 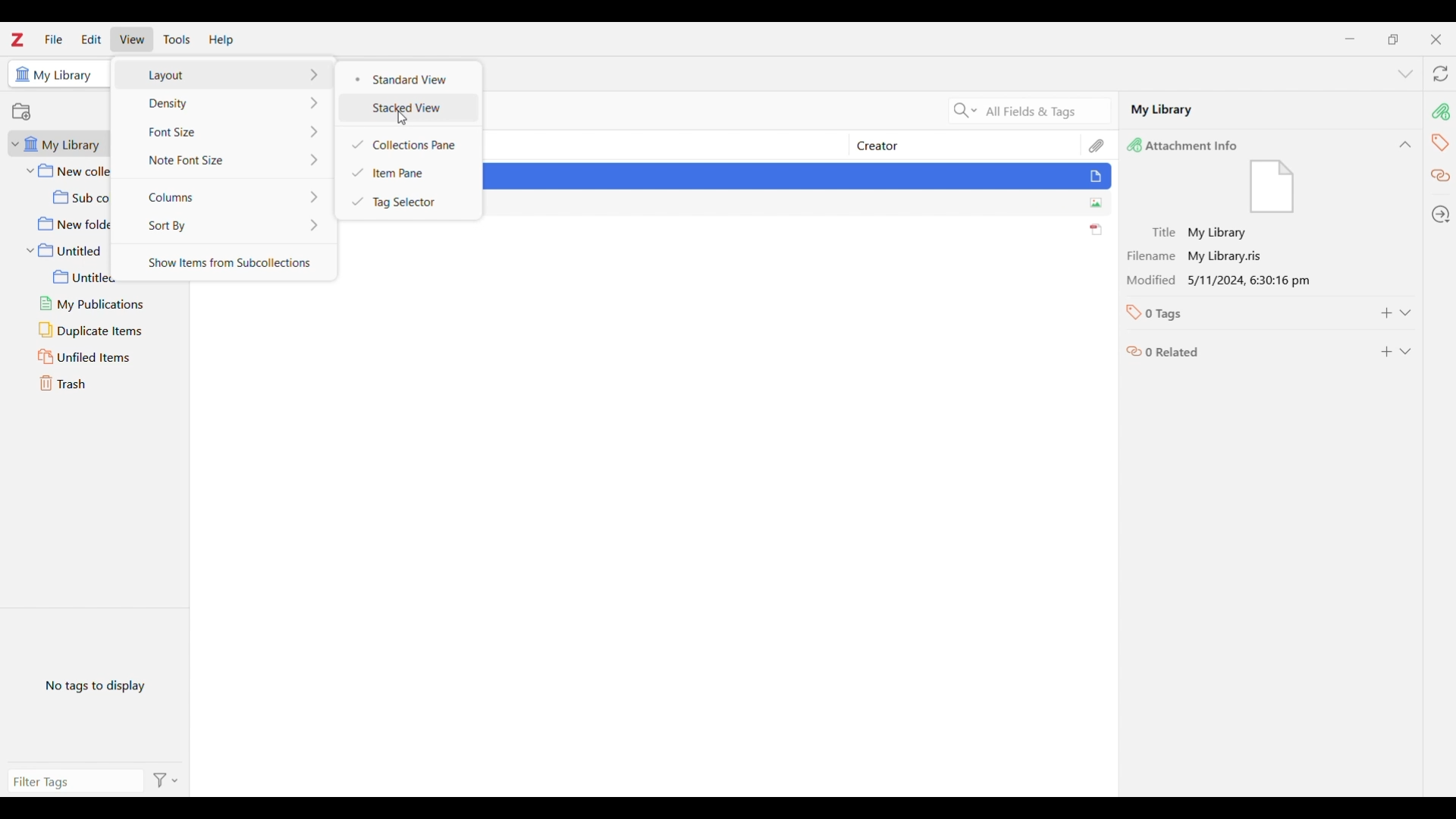 I want to click on Column options, so click(x=224, y=196).